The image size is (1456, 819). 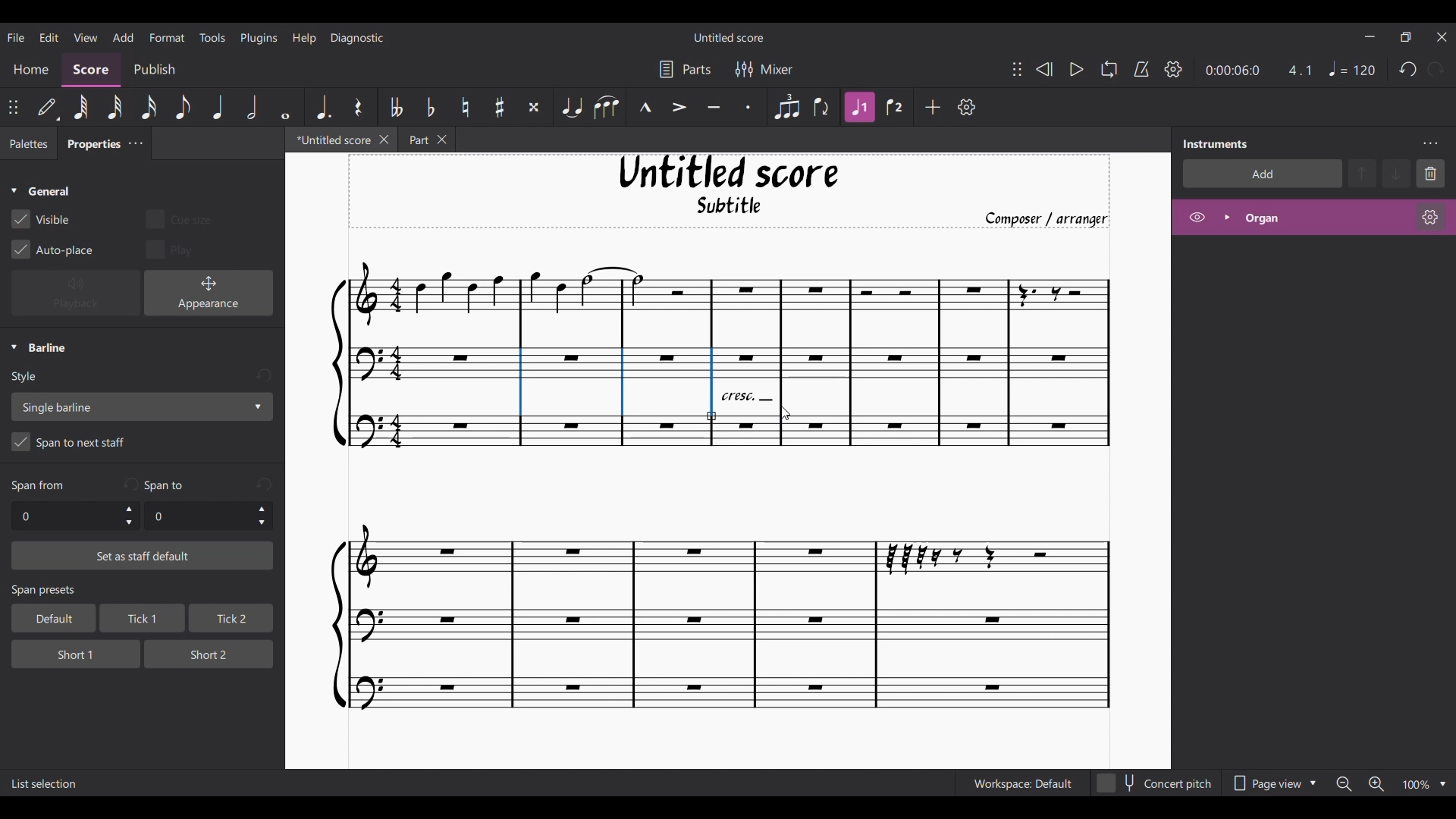 I want to click on Rewind, so click(x=1043, y=69).